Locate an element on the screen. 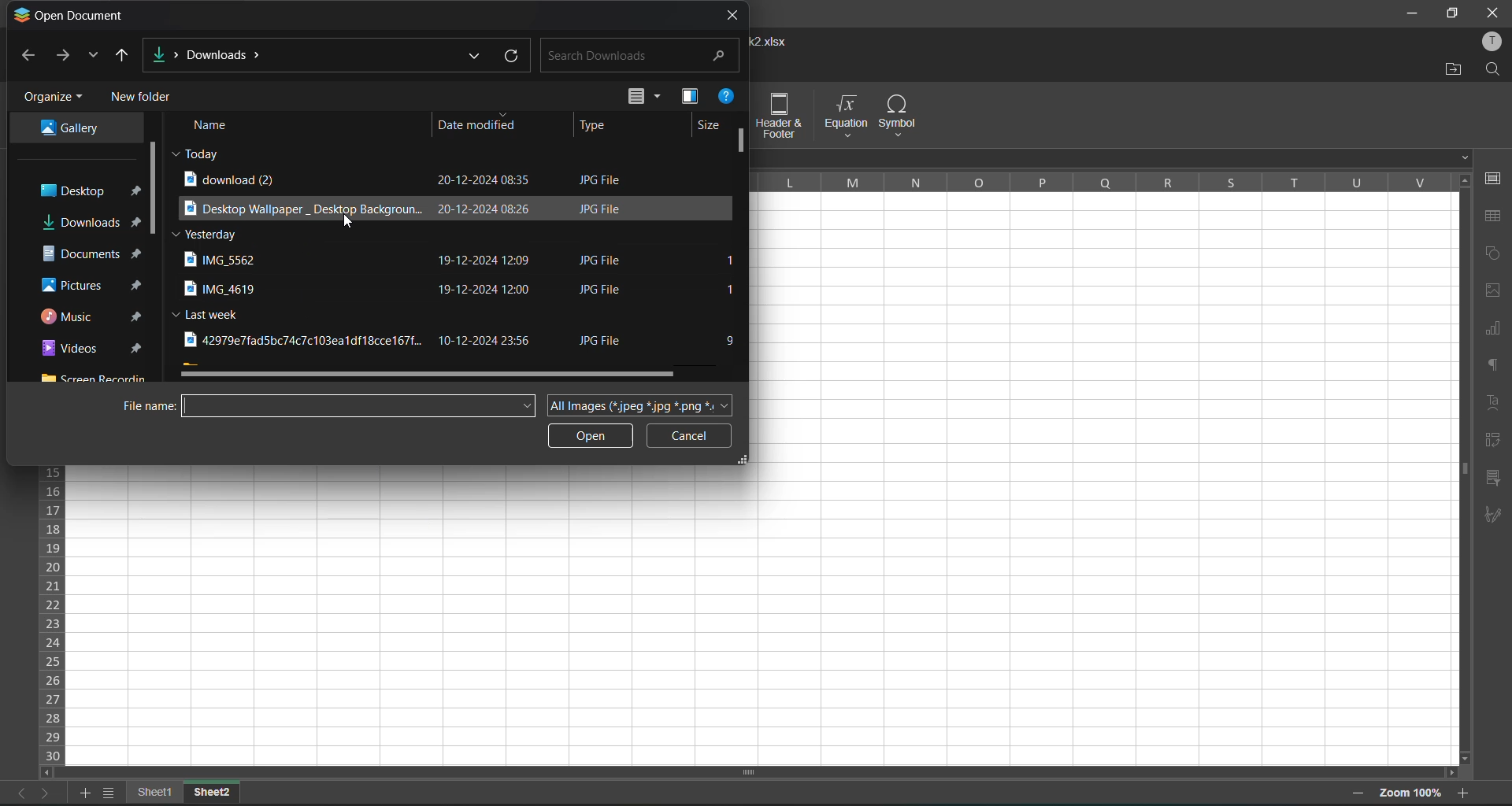 The width and height of the screenshot is (1512, 806). table is located at coordinates (1494, 216).